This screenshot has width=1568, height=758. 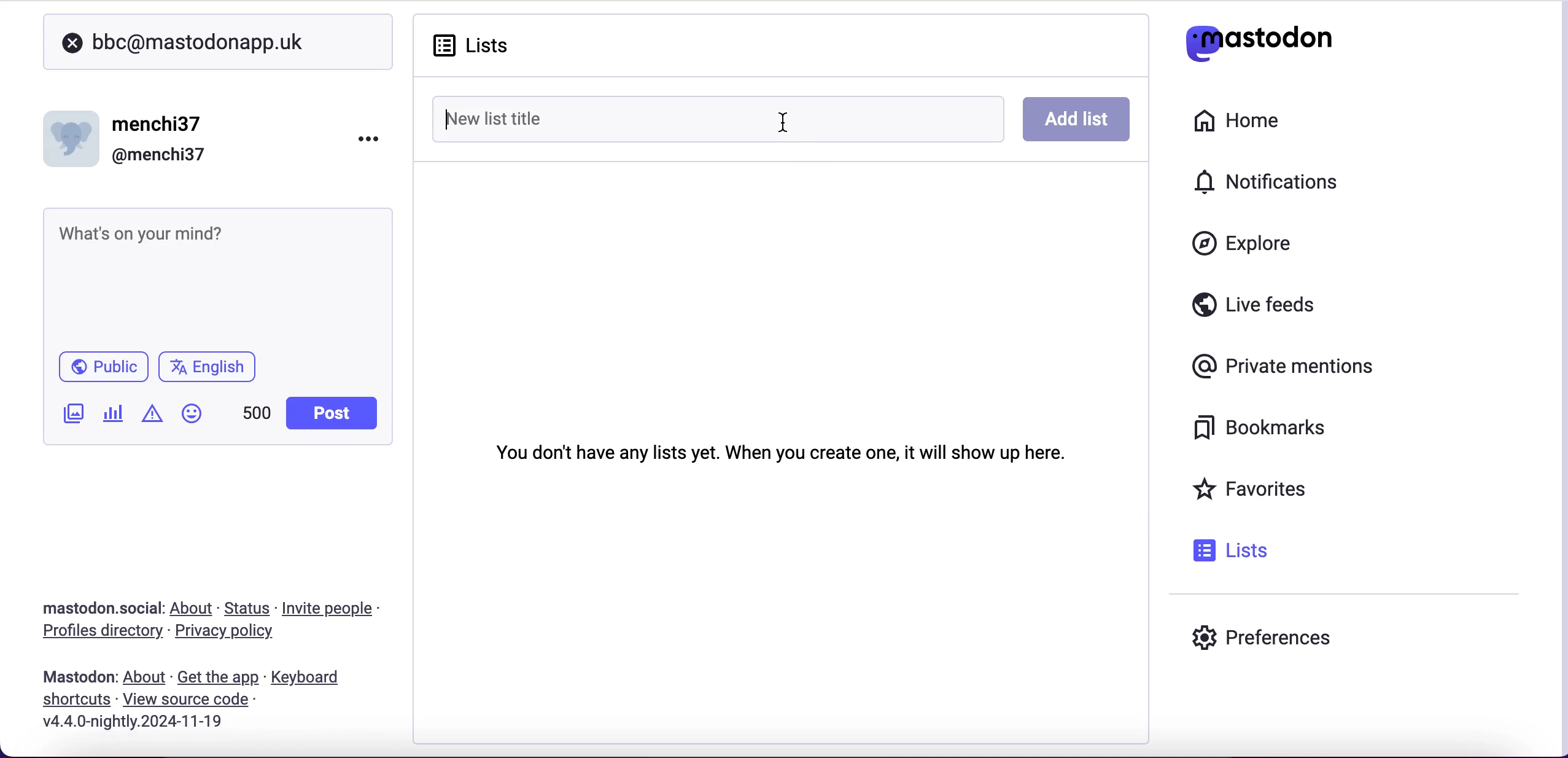 What do you see at coordinates (134, 137) in the screenshot?
I see `user name` at bounding box center [134, 137].